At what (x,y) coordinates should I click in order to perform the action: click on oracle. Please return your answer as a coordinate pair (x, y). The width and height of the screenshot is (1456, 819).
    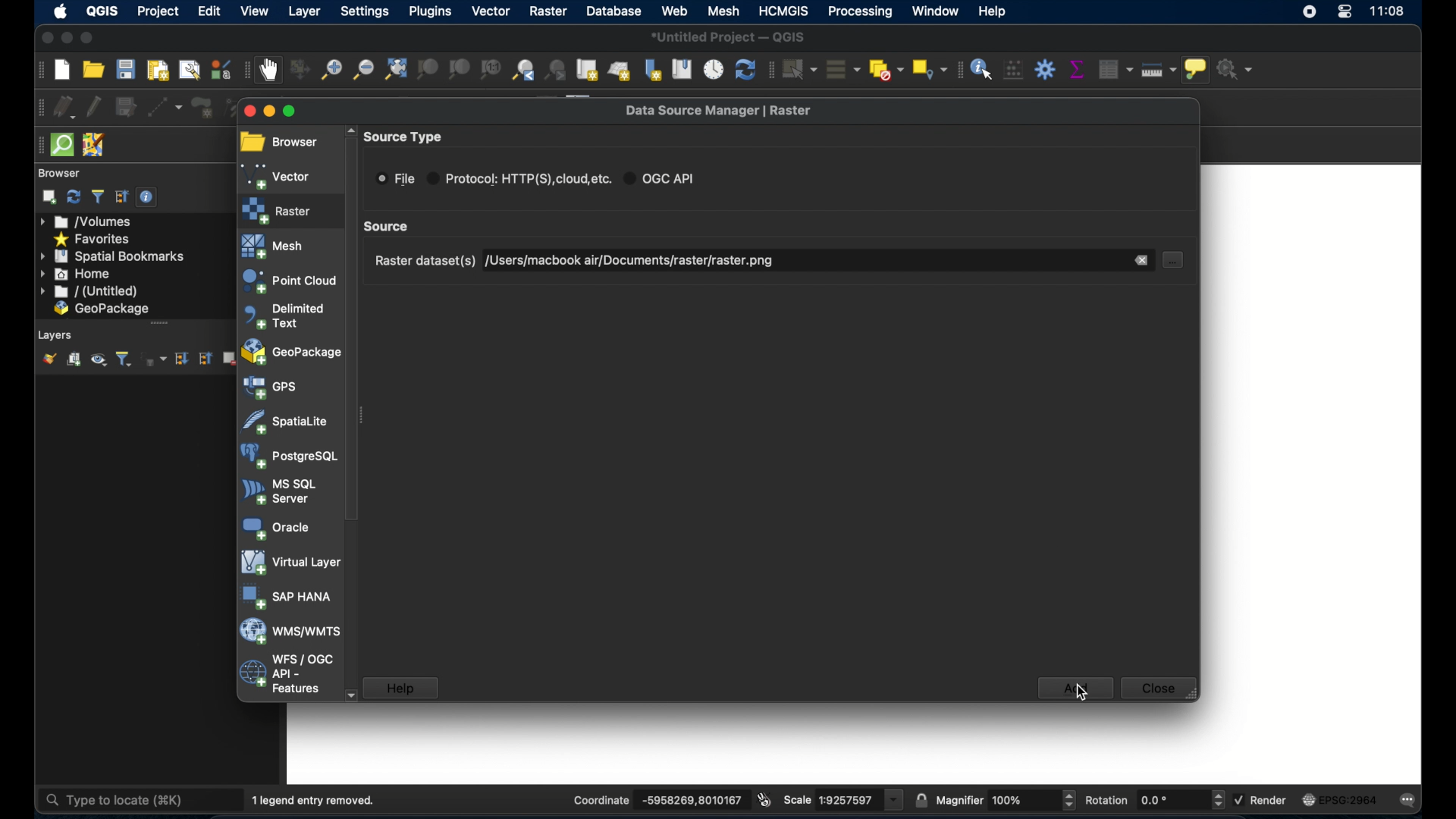
    Looking at the image, I should click on (280, 527).